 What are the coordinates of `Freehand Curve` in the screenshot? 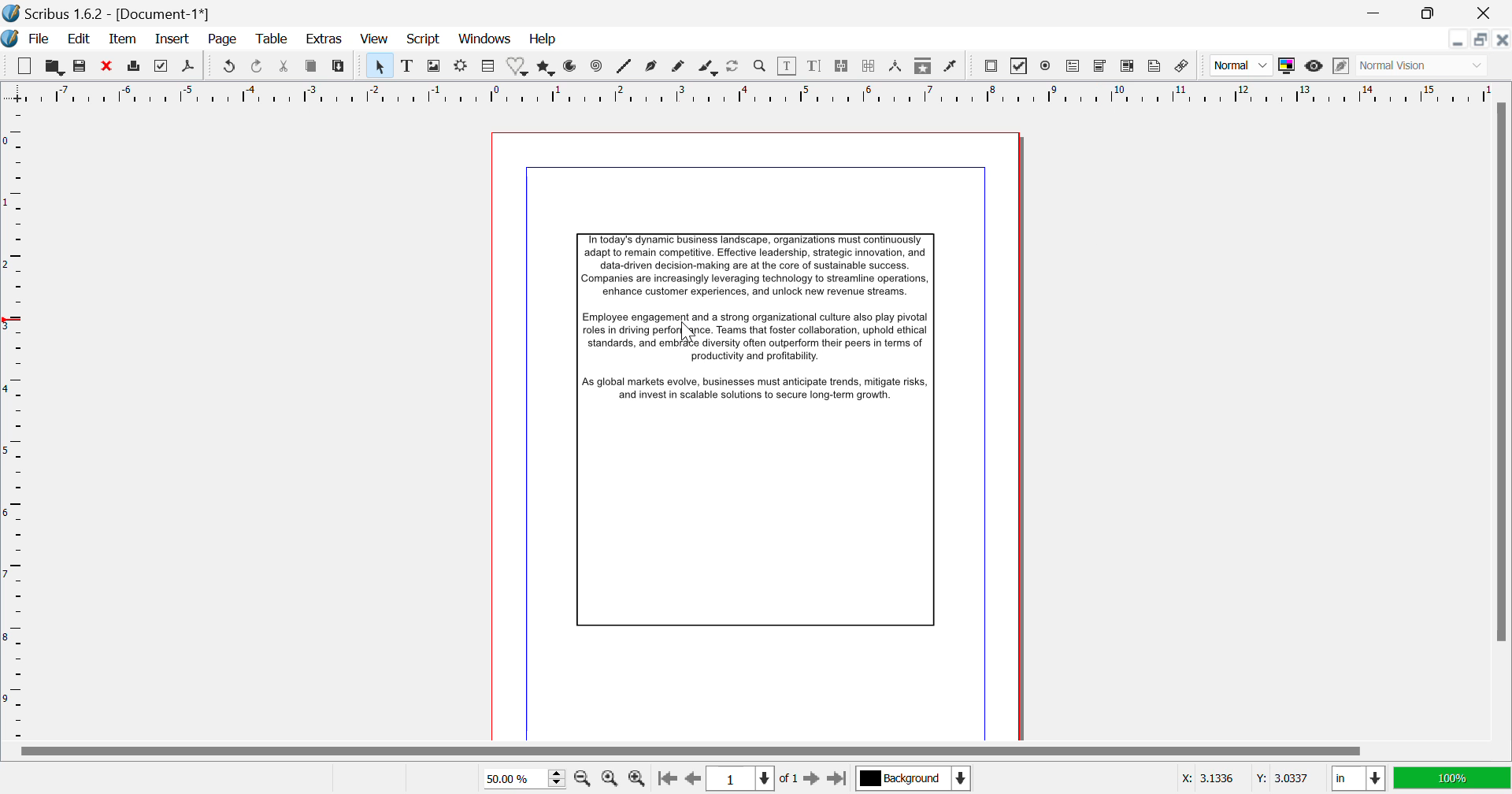 It's located at (676, 67).